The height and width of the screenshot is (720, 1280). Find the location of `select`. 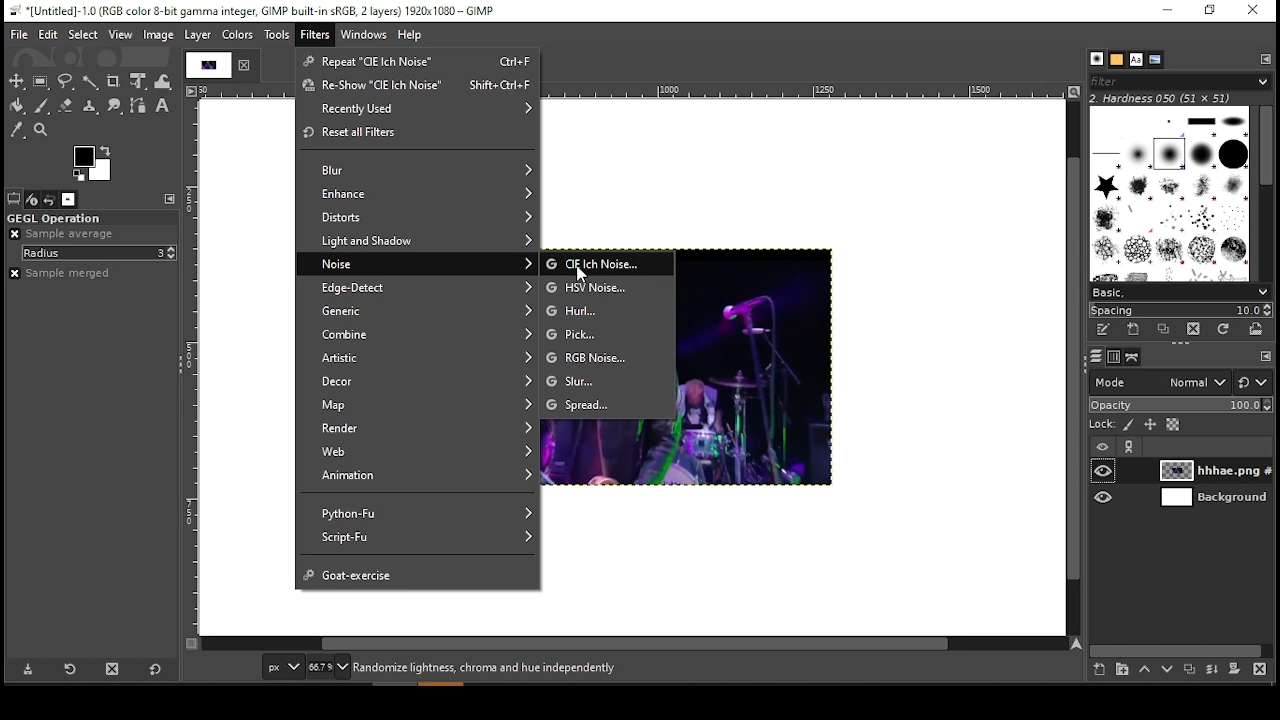

select is located at coordinates (83, 34).